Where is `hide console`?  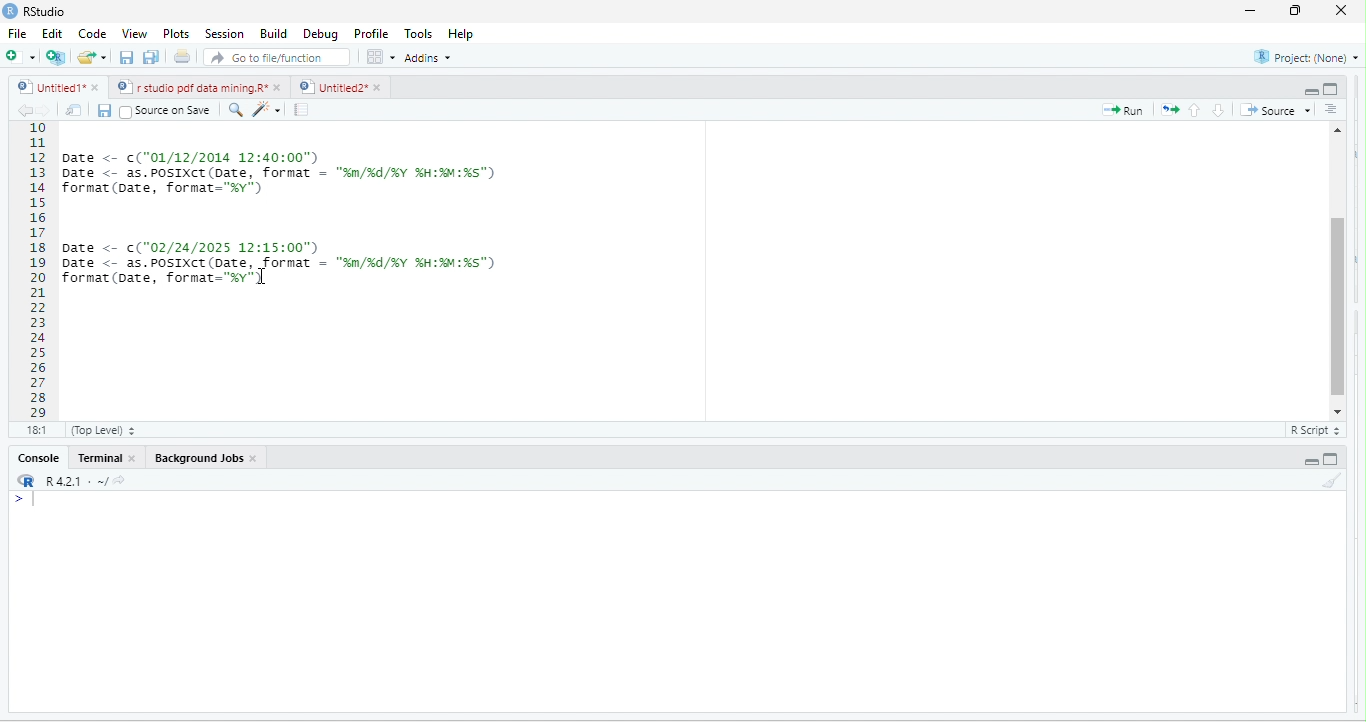
hide console is located at coordinates (1334, 89).